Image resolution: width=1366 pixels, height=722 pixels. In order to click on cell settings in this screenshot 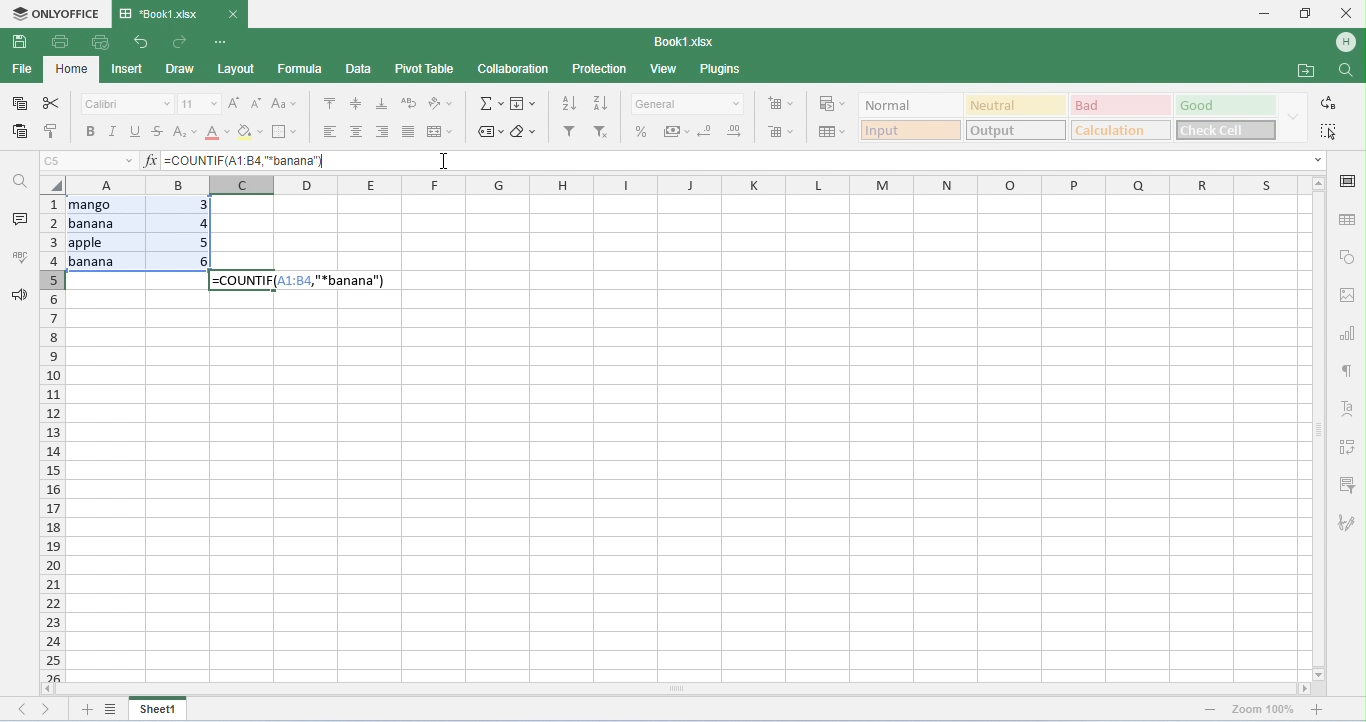, I will do `click(1347, 180)`.